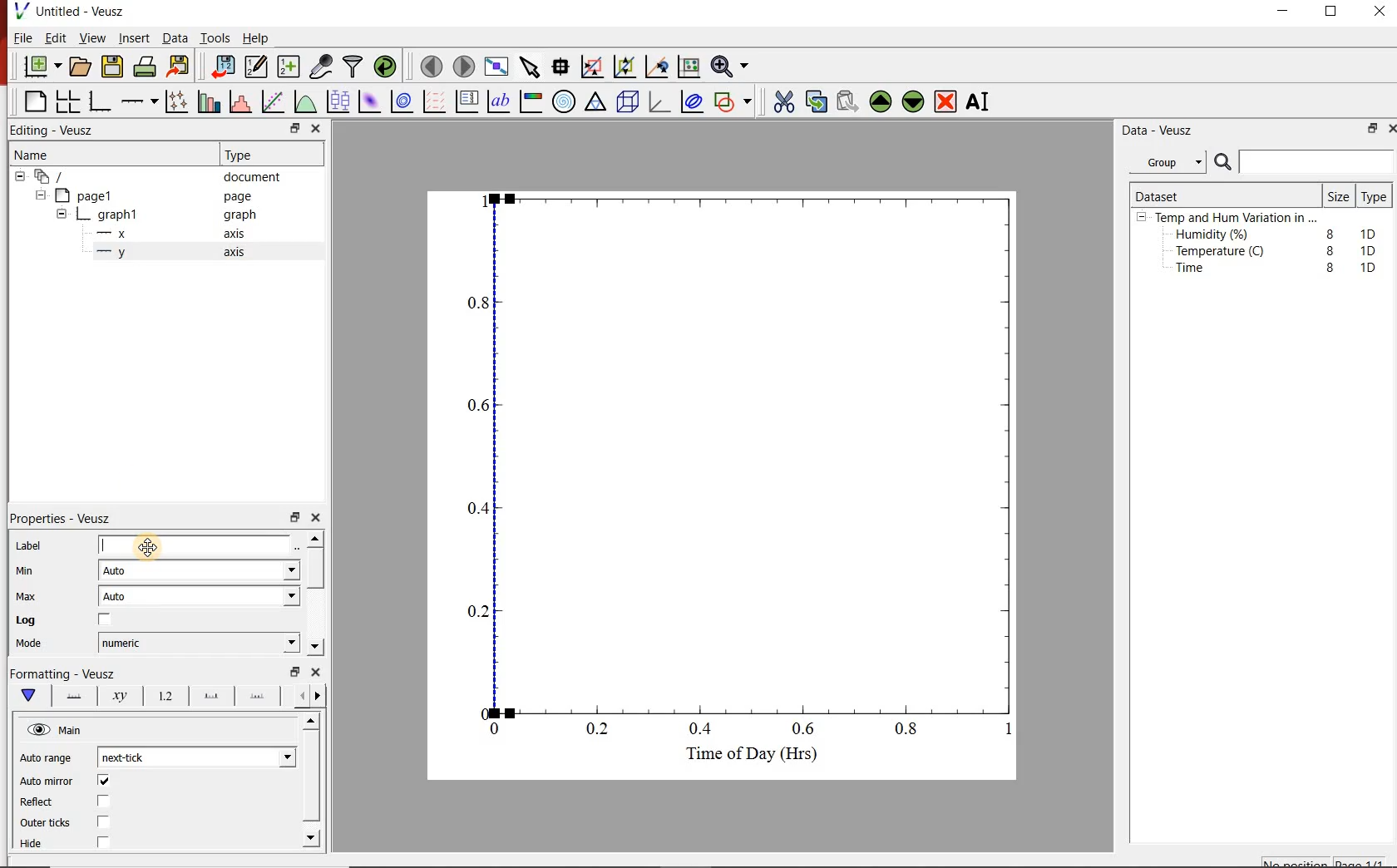 The height and width of the screenshot is (868, 1397). Describe the element at coordinates (600, 730) in the screenshot. I see `0.2` at that location.